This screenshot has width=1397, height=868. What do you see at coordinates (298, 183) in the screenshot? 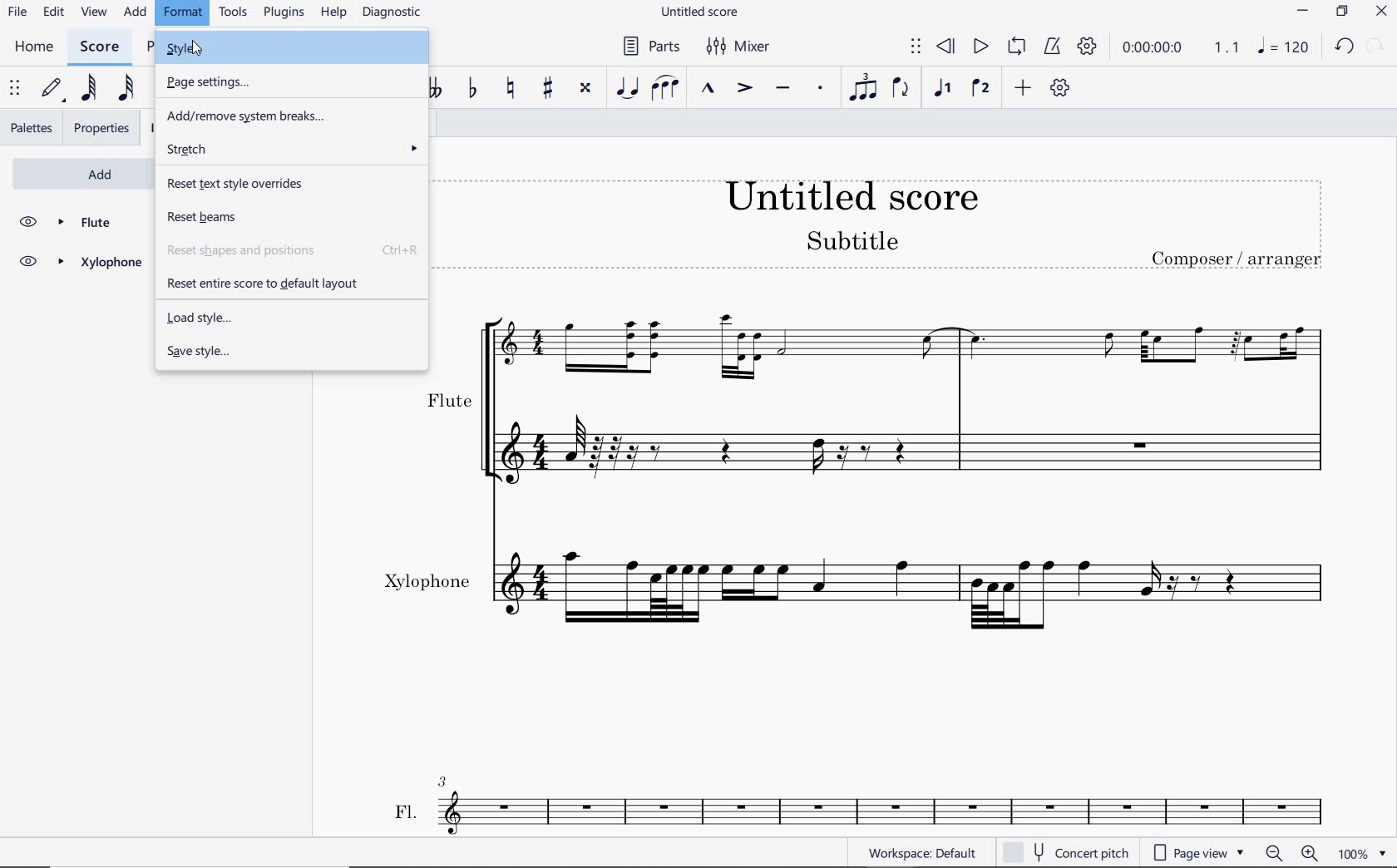
I see `reset text style overrides` at bounding box center [298, 183].